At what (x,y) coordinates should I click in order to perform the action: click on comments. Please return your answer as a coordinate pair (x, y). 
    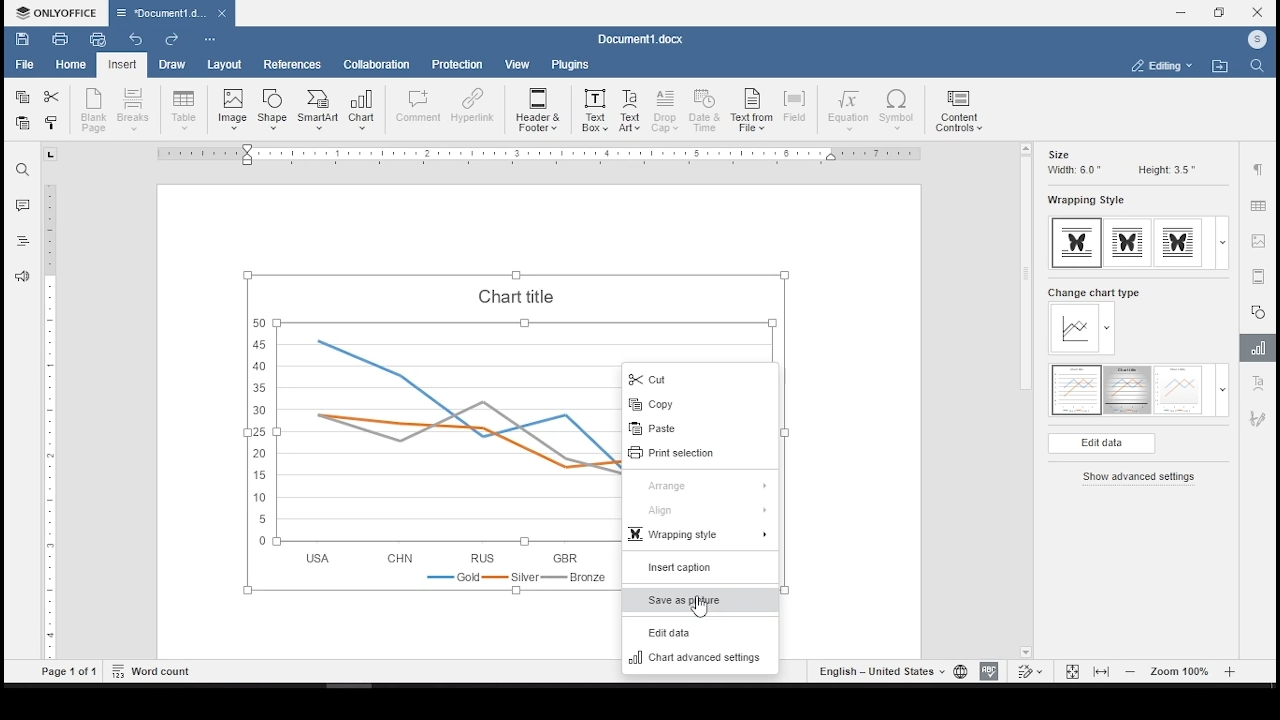
    Looking at the image, I should click on (22, 206).